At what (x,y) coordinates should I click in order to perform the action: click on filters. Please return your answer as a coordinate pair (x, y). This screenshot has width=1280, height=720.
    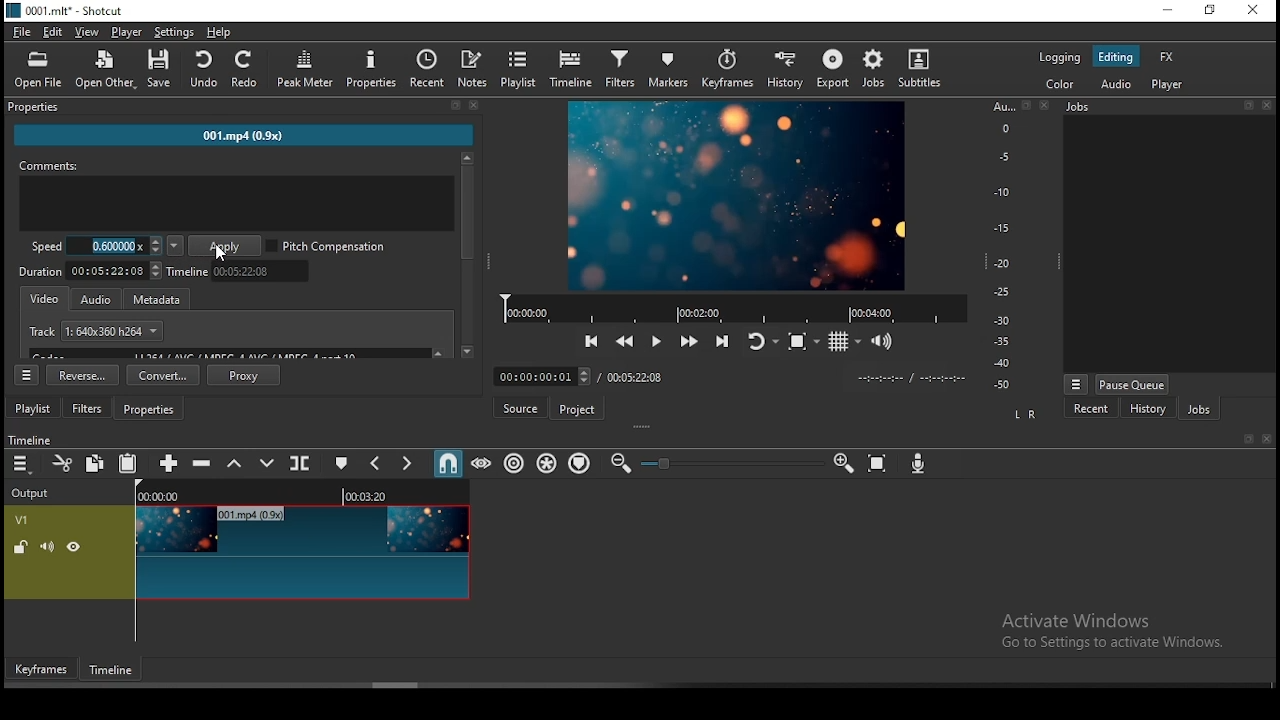
    Looking at the image, I should click on (87, 407).